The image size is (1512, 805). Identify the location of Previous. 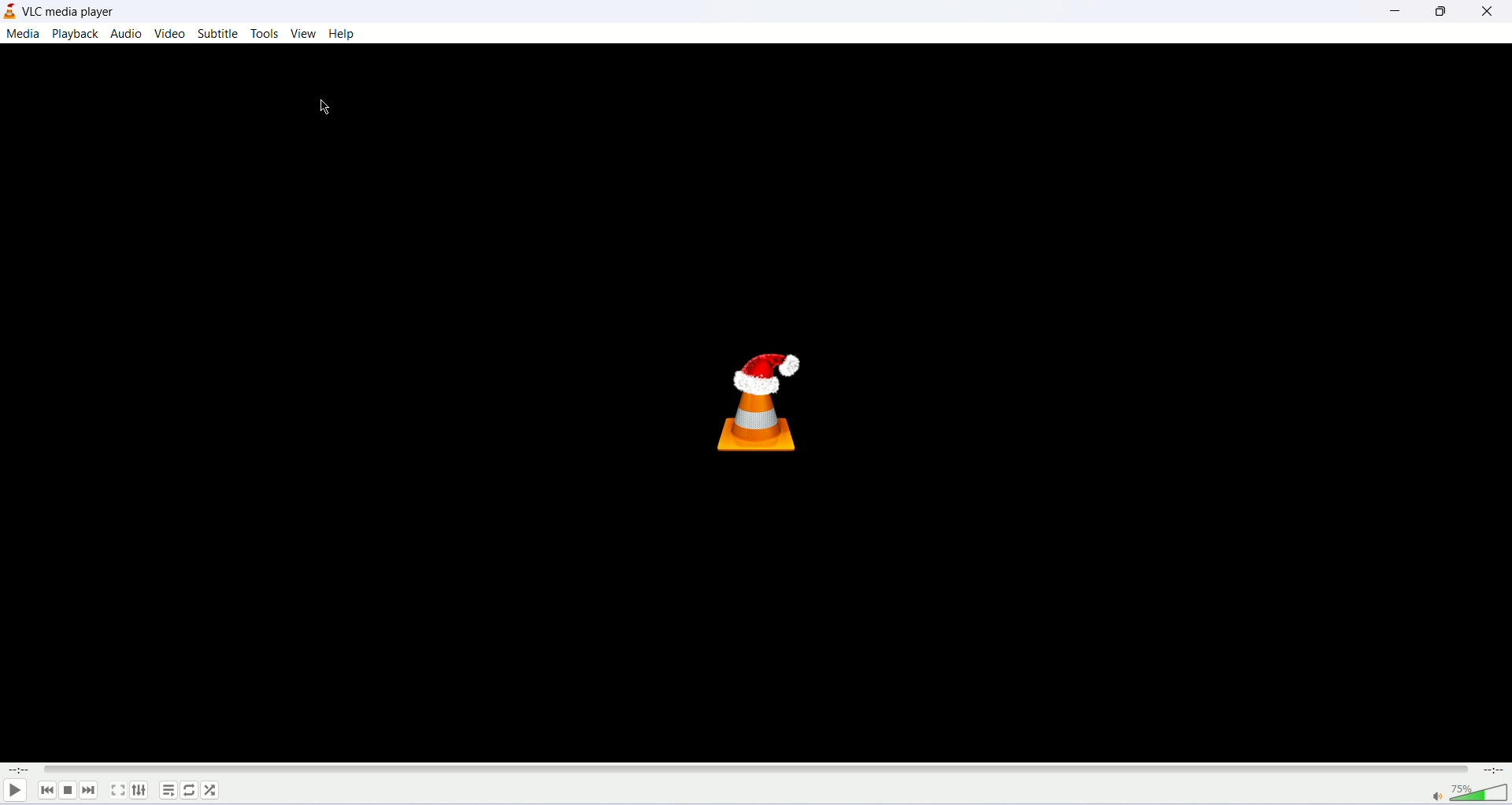
(46, 790).